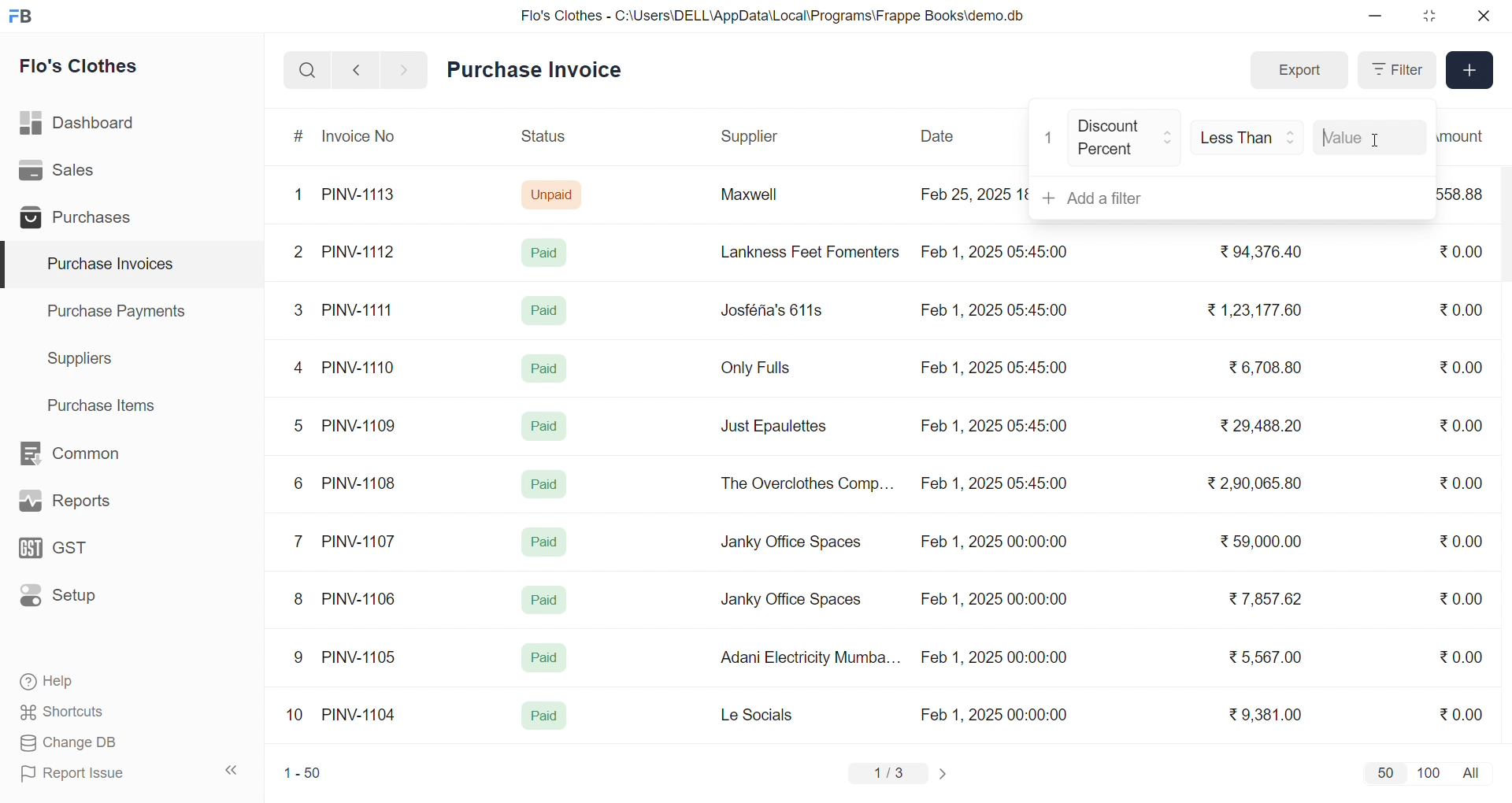 This screenshot has height=803, width=1512. Describe the element at coordinates (121, 310) in the screenshot. I see `Purchase Payments` at that location.